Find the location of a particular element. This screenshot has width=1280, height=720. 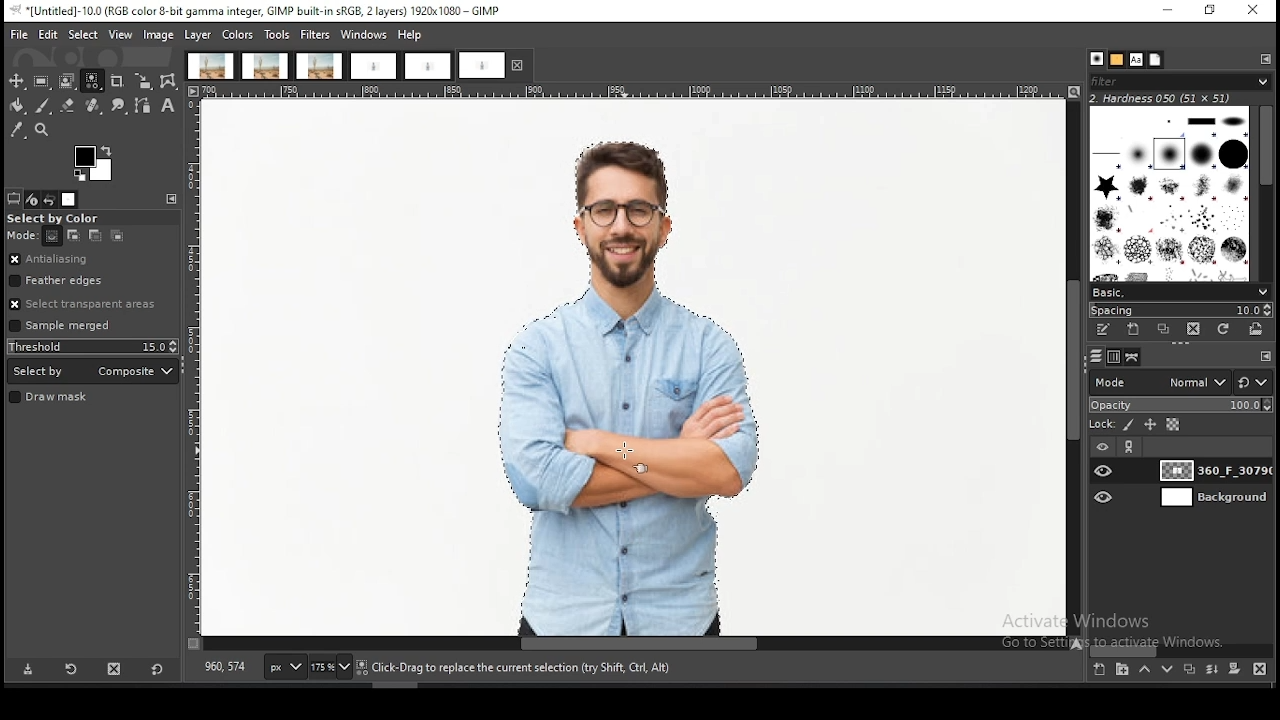

brushes is located at coordinates (1096, 59).